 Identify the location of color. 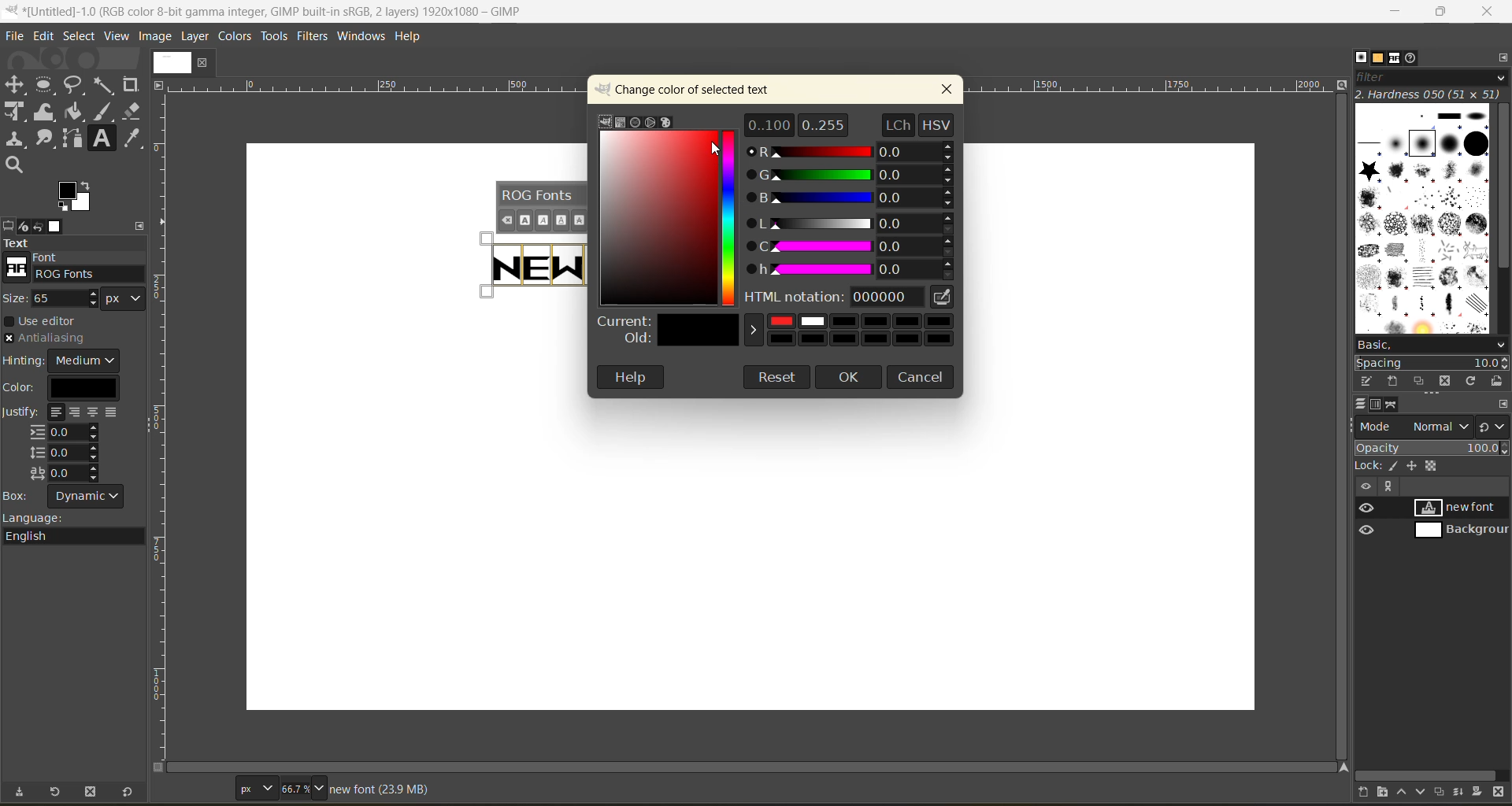
(69, 387).